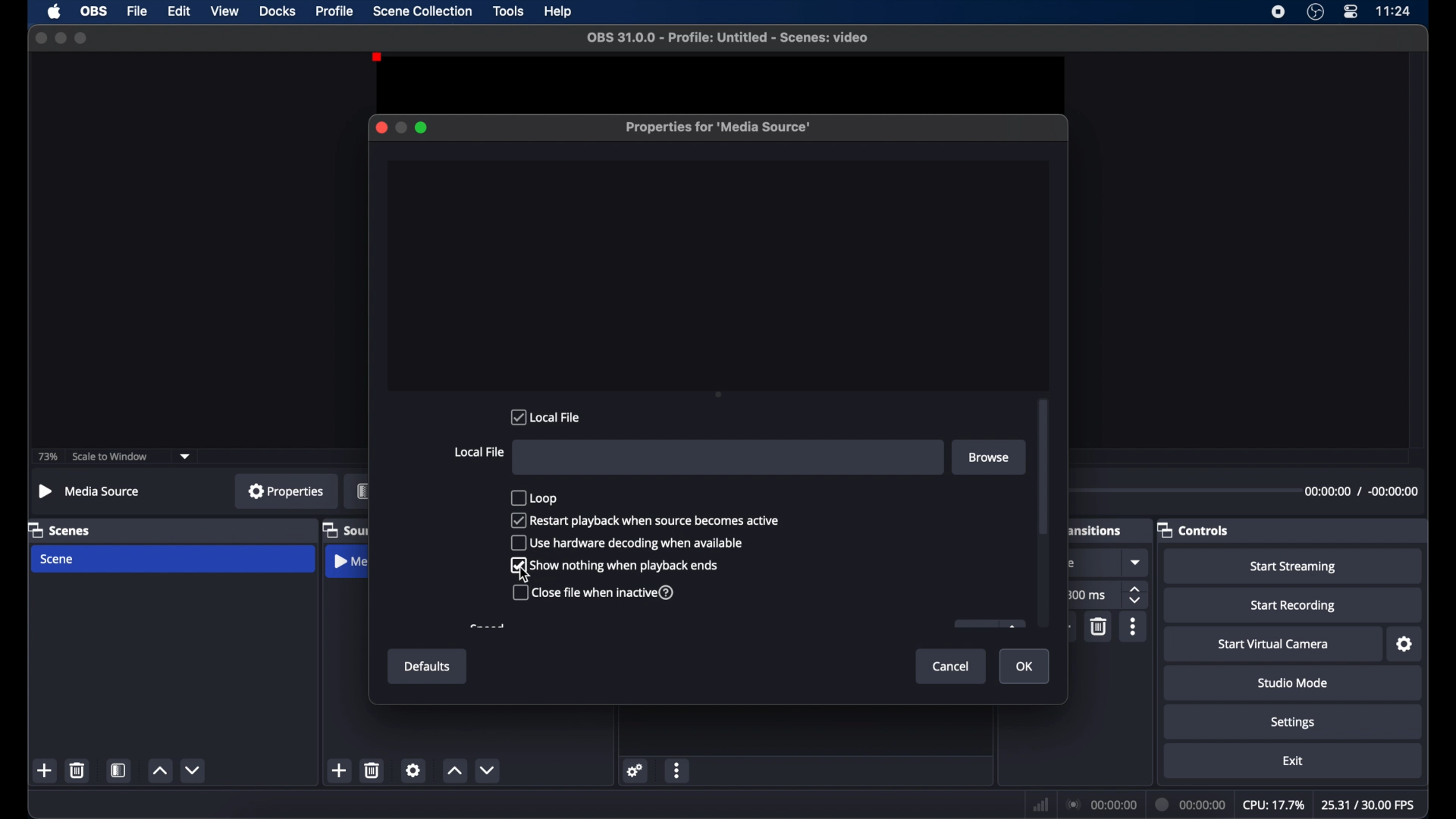  Describe the element at coordinates (1068, 563) in the screenshot. I see `obscure icon` at that location.